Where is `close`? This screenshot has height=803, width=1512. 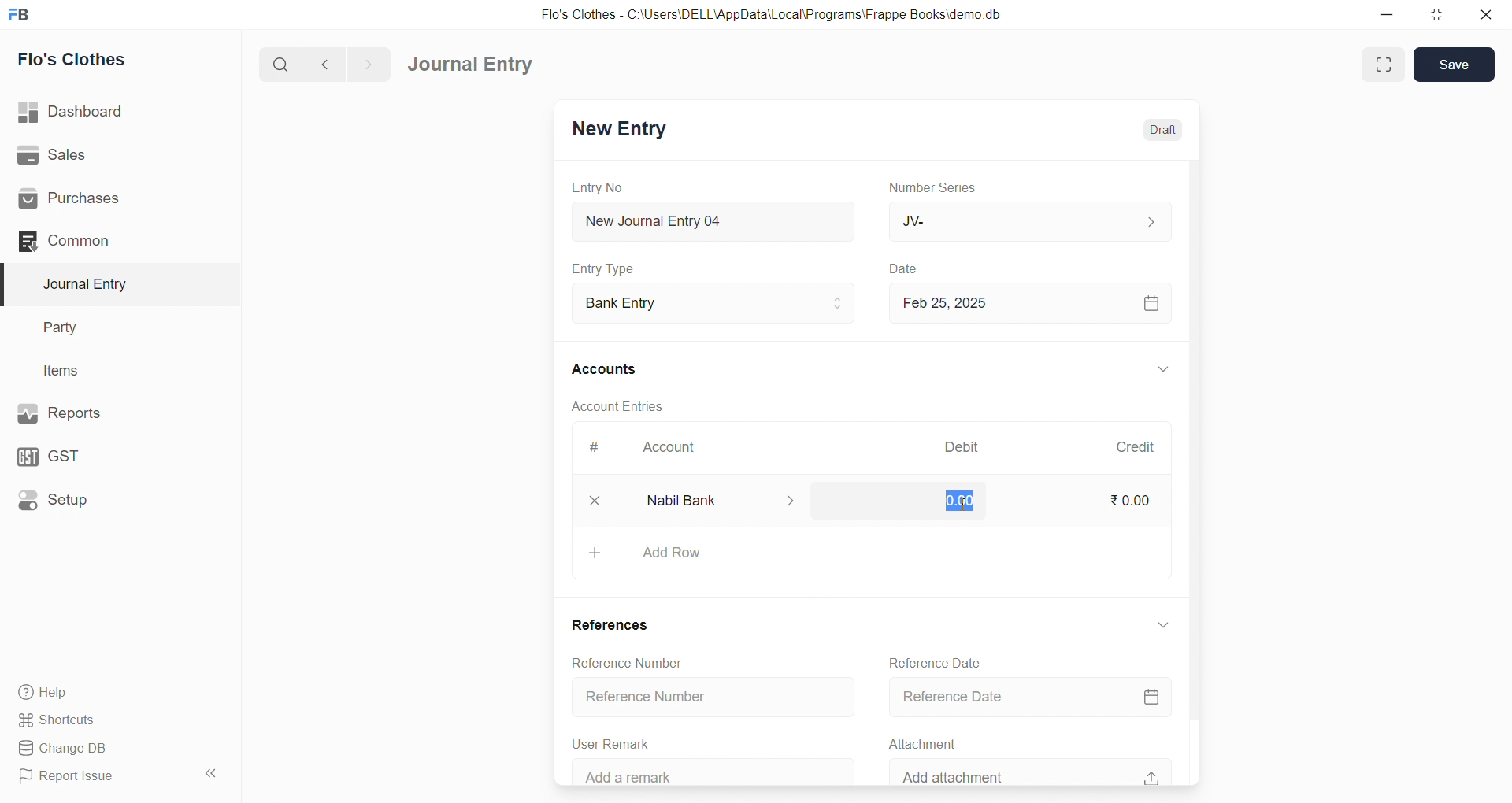 close is located at coordinates (587, 500).